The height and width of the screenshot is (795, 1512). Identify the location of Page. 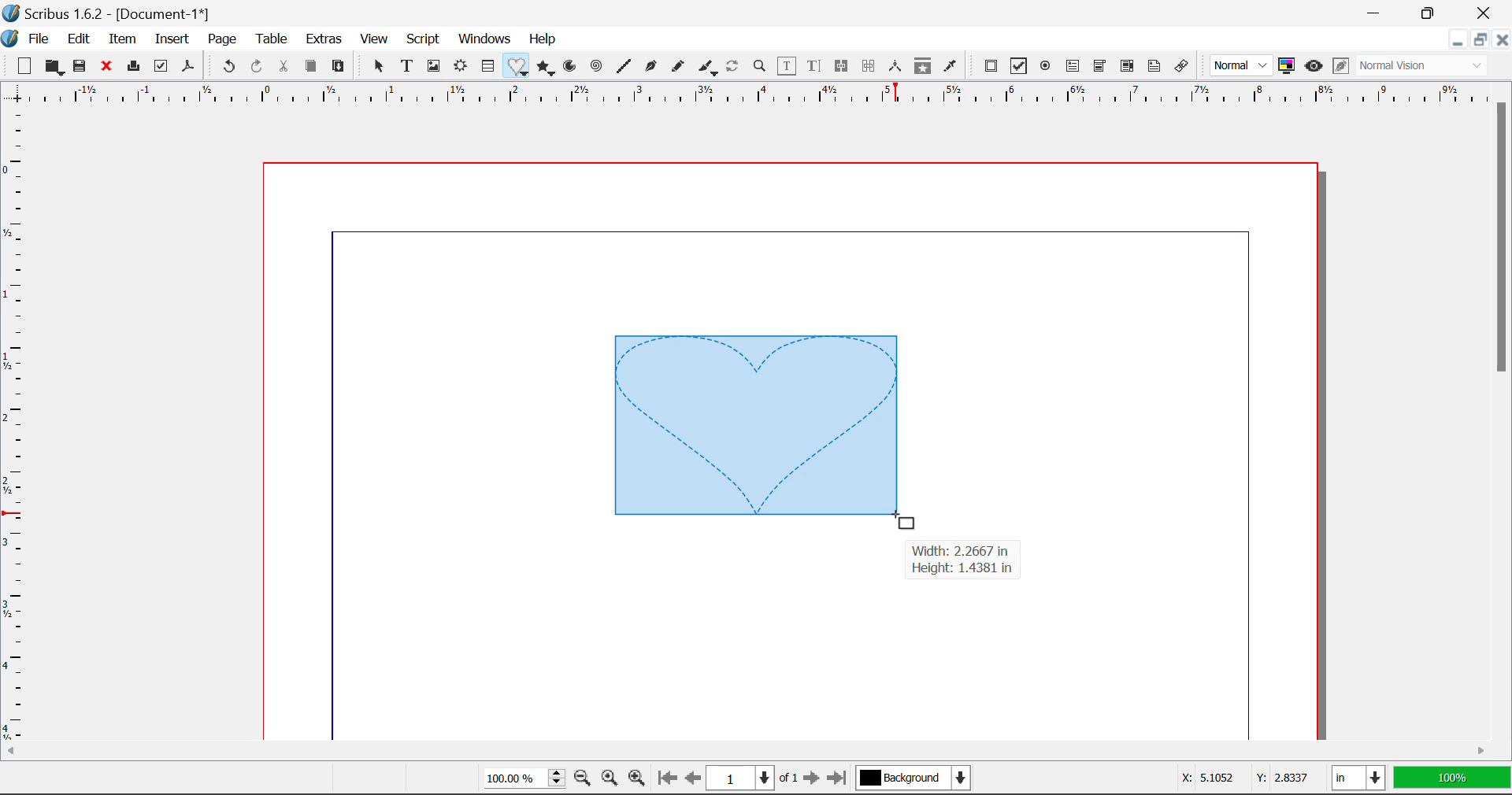
(224, 39).